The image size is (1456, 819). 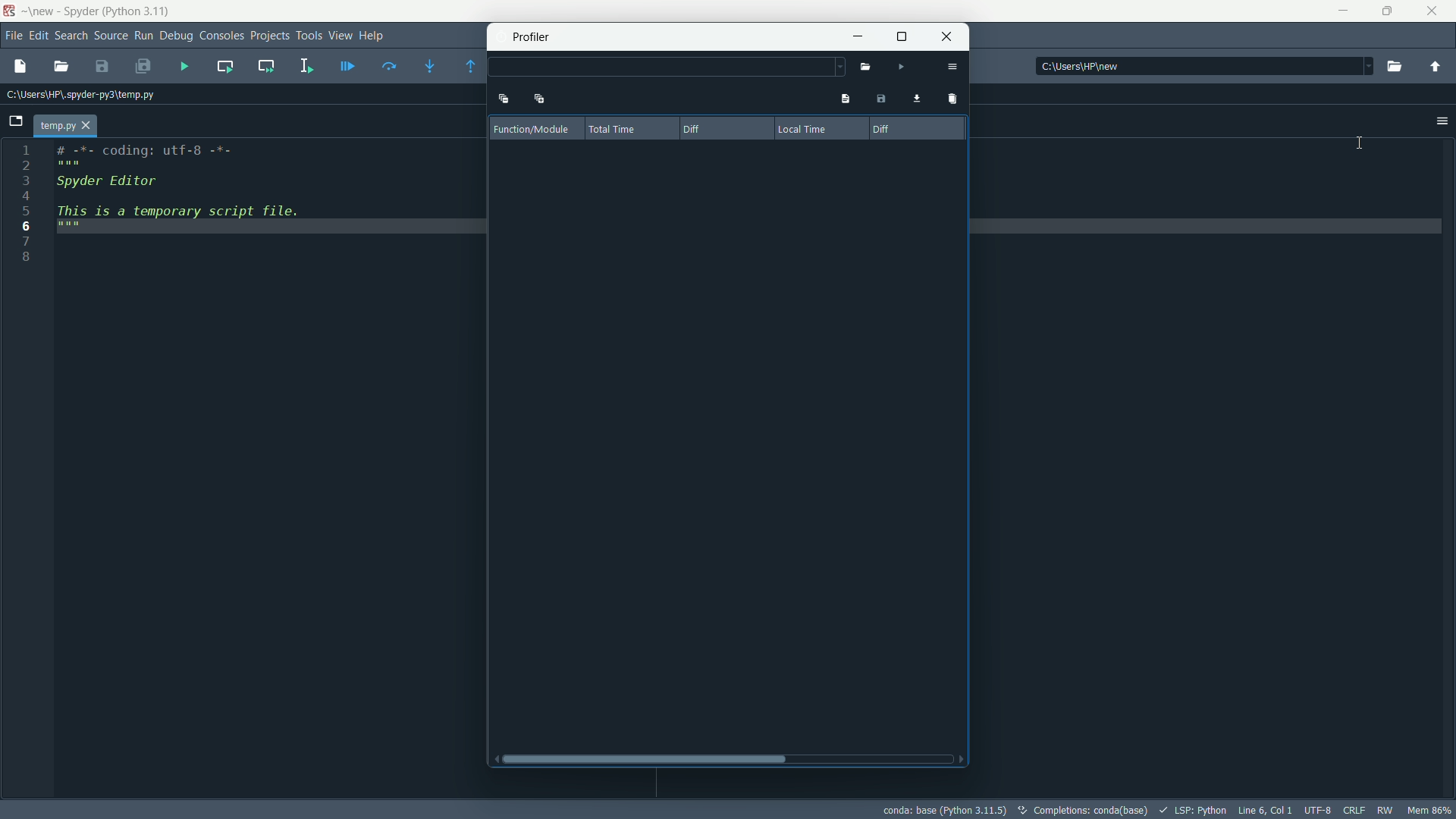 I want to click on horizontal scroll bar, so click(x=728, y=761).